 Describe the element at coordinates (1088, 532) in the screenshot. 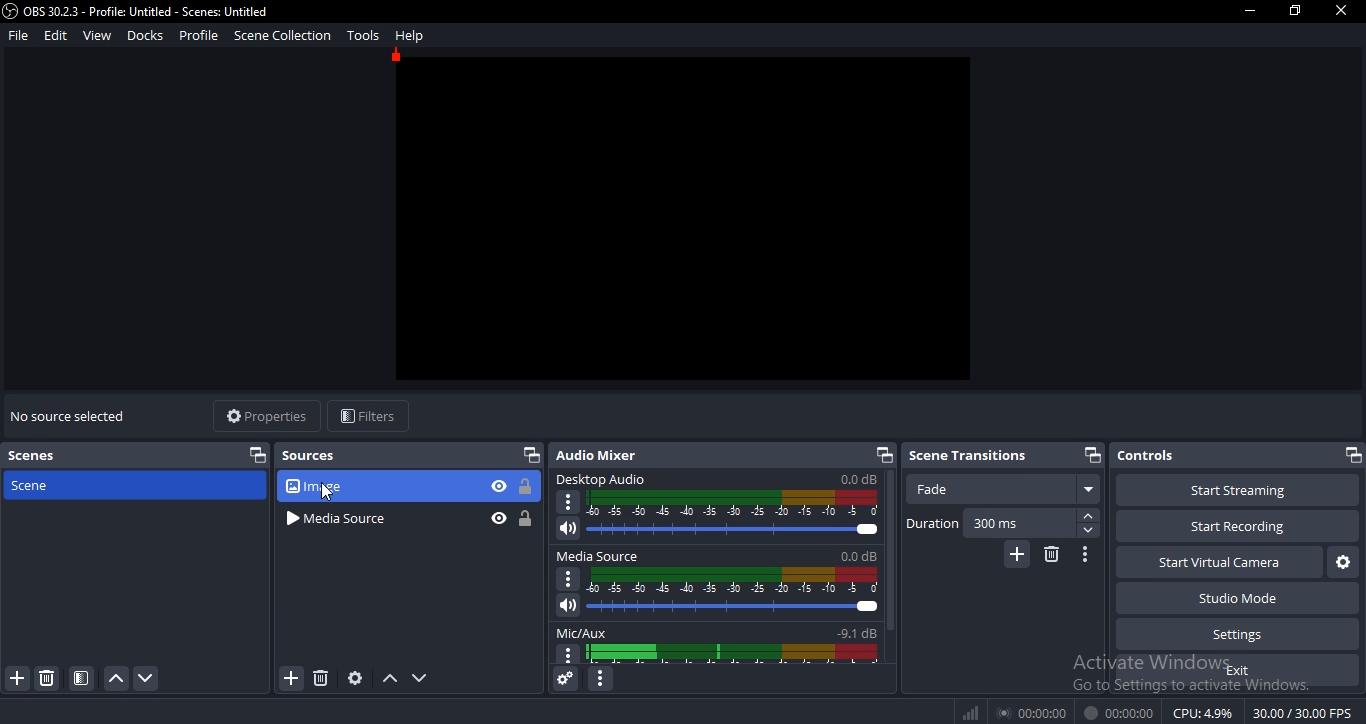

I see `backward` at that location.